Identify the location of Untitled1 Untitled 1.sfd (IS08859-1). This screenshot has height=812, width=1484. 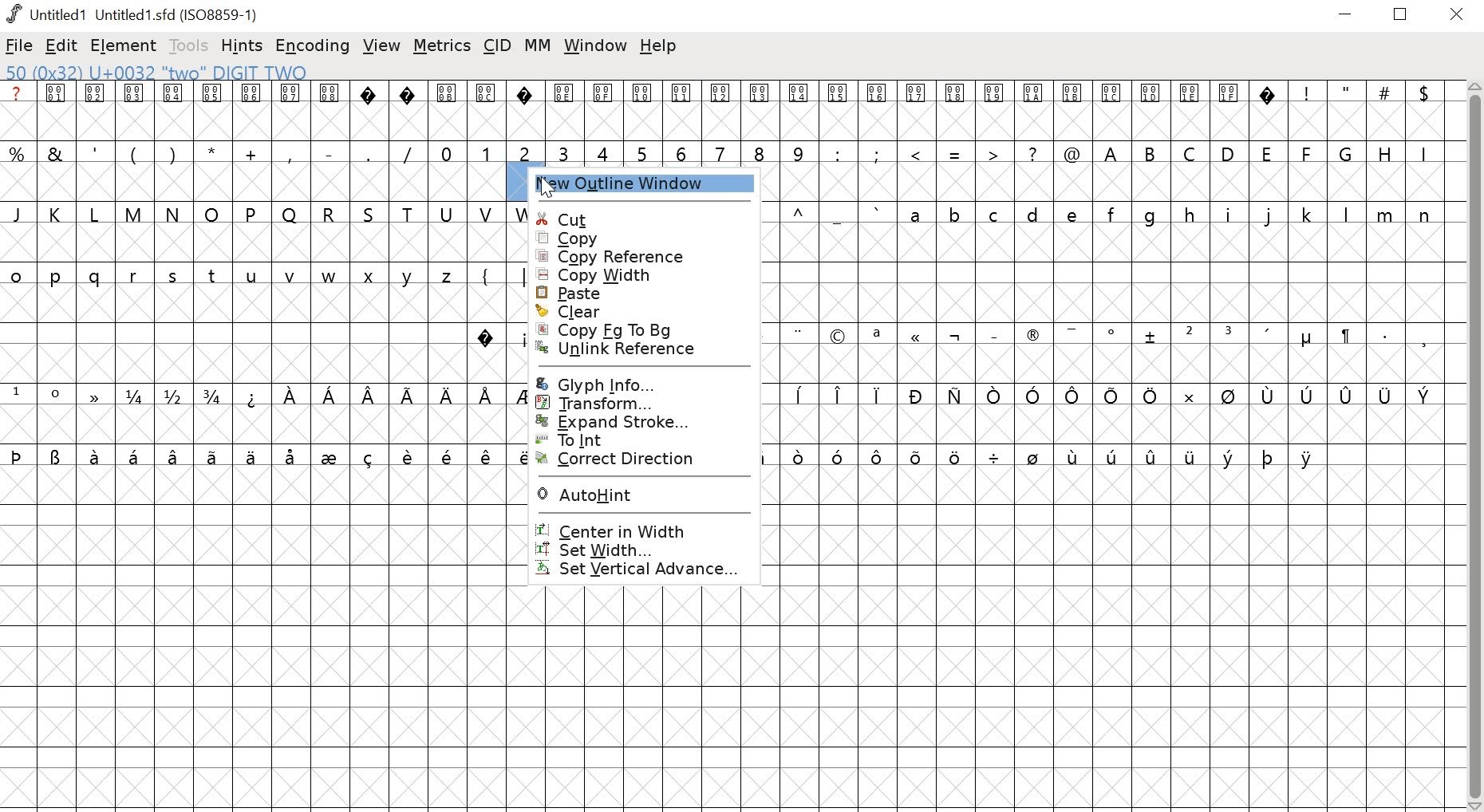
(138, 15).